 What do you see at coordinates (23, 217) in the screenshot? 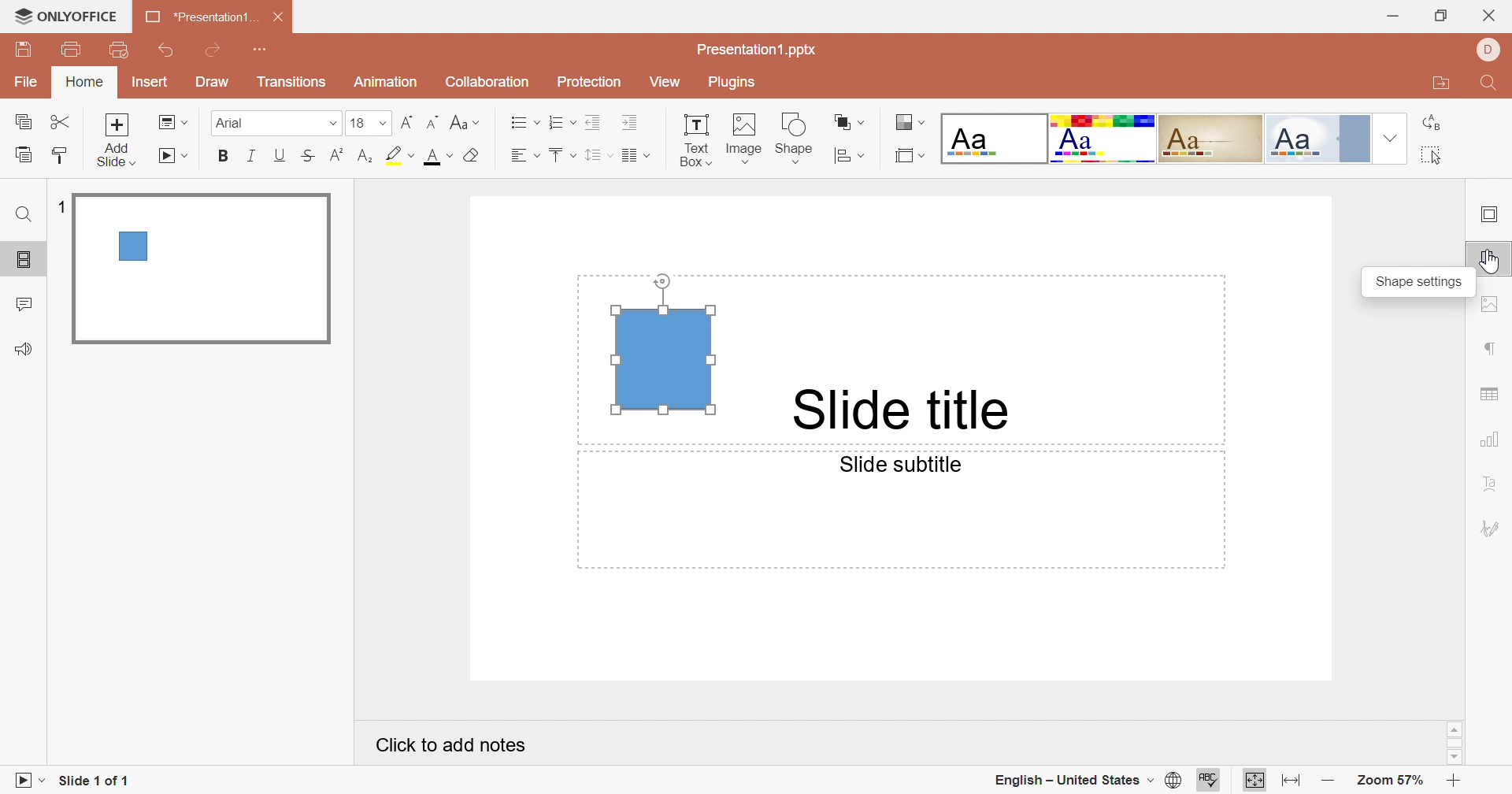
I see `Find` at bounding box center [23, 217].